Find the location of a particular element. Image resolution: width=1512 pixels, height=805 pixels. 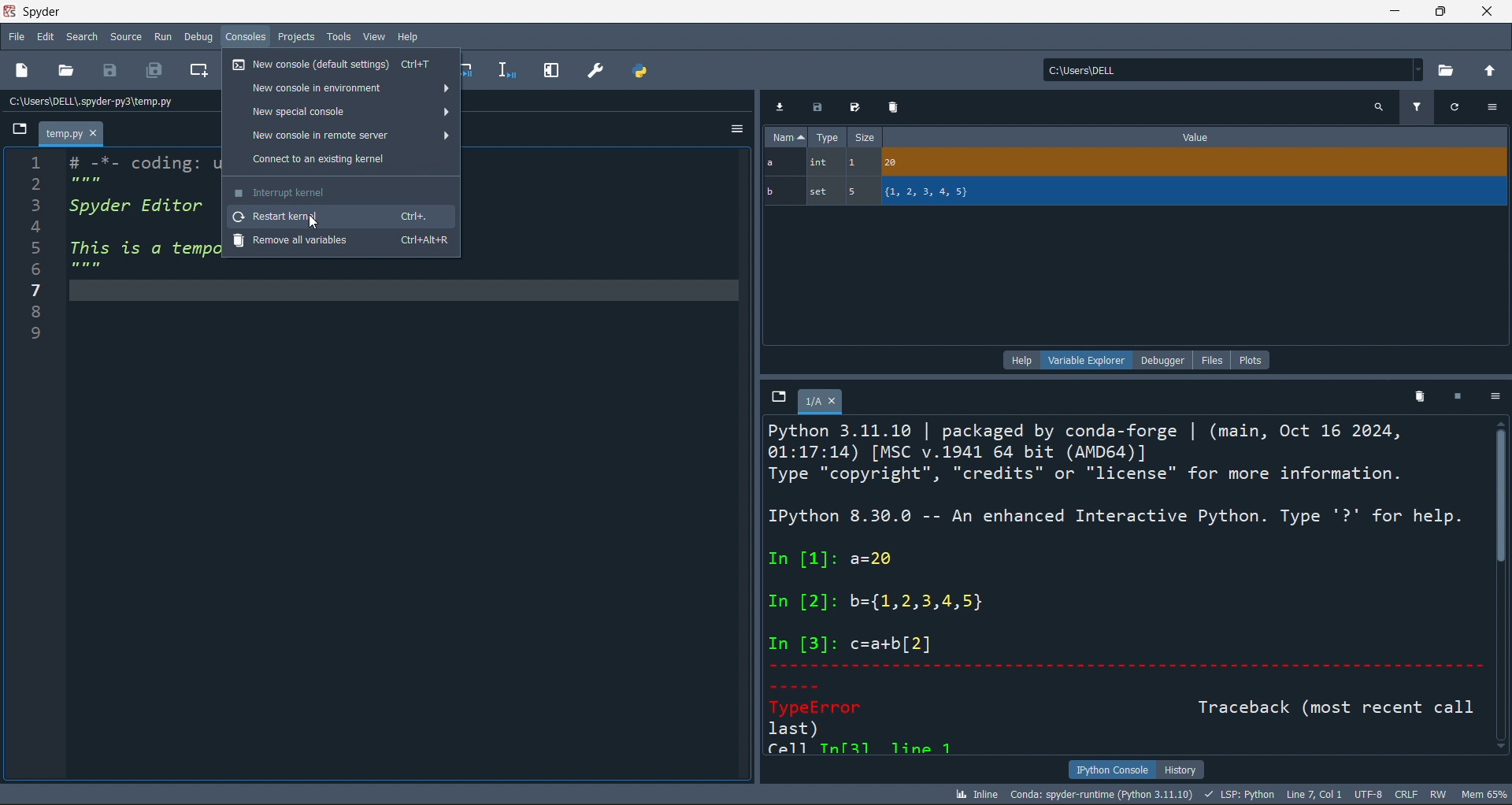

remove all variables is located at coordinates (344, 243).